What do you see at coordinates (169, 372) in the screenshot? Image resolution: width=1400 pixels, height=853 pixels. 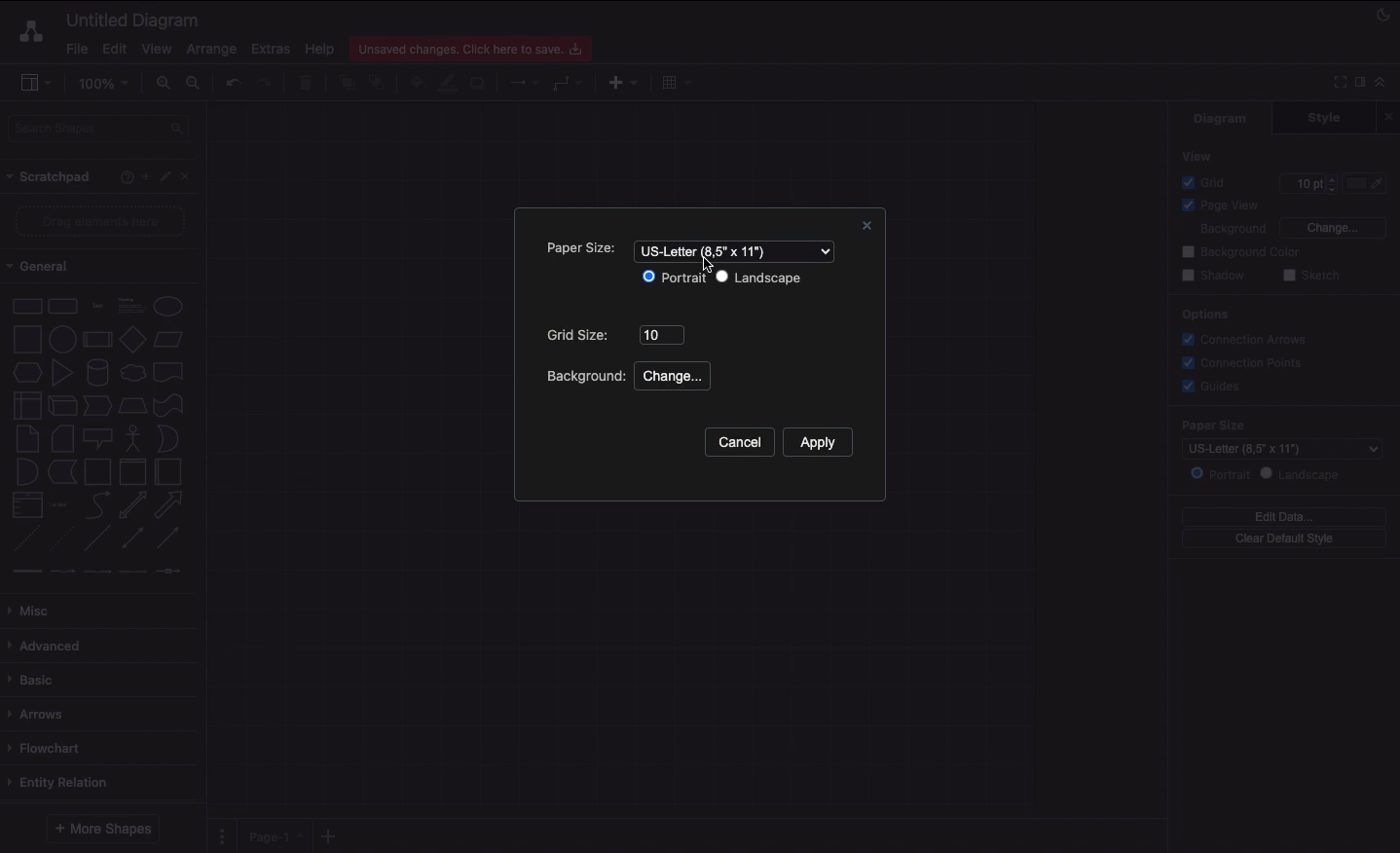 I see `Document` at bounding box center [169, 372].